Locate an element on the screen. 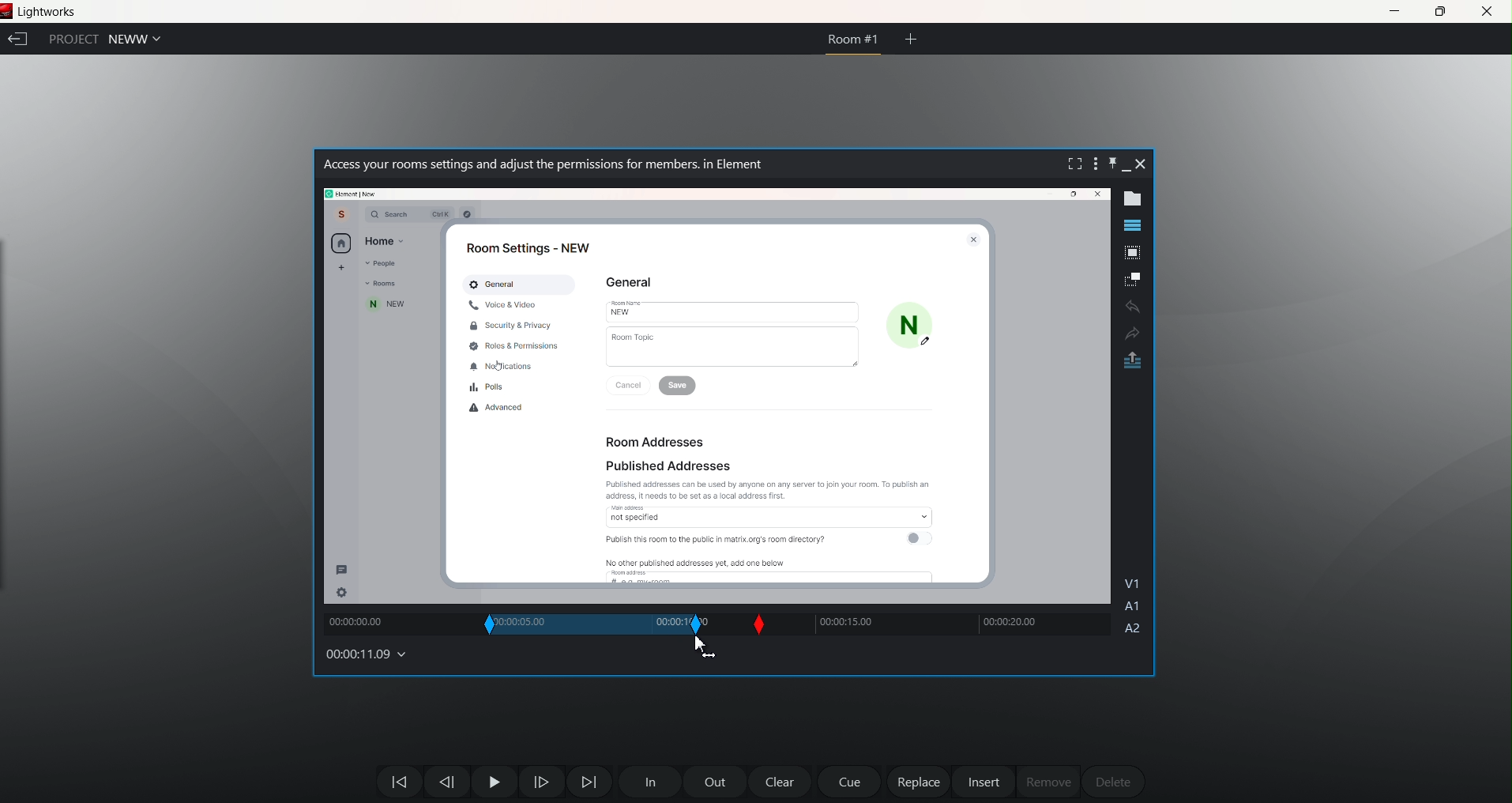 The image size is (1512, 803). minimize is located at coordinates (1125, 167).